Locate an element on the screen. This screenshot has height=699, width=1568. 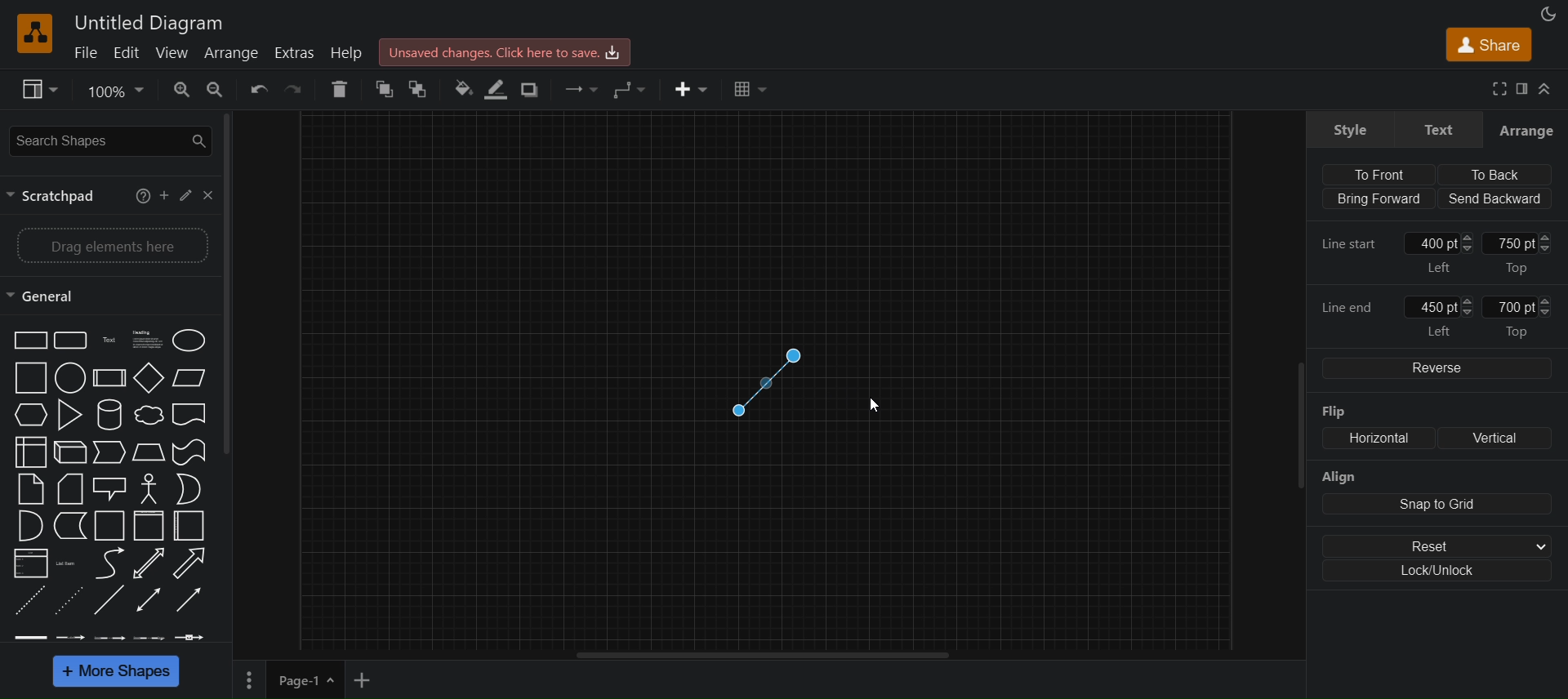
List is located at coordinates (29, 563).